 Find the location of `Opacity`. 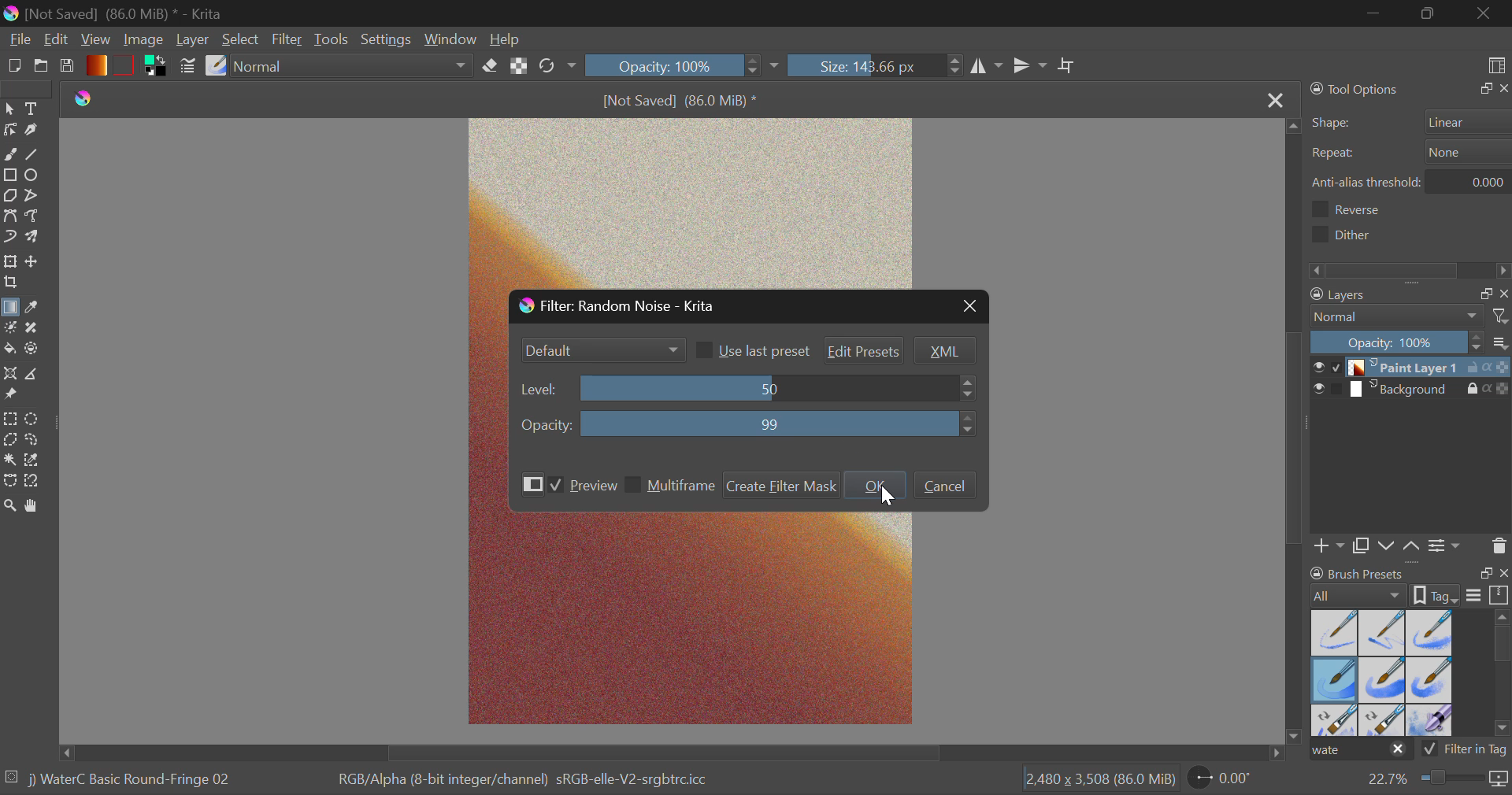

Opacity is located at coordinates (686, 66).